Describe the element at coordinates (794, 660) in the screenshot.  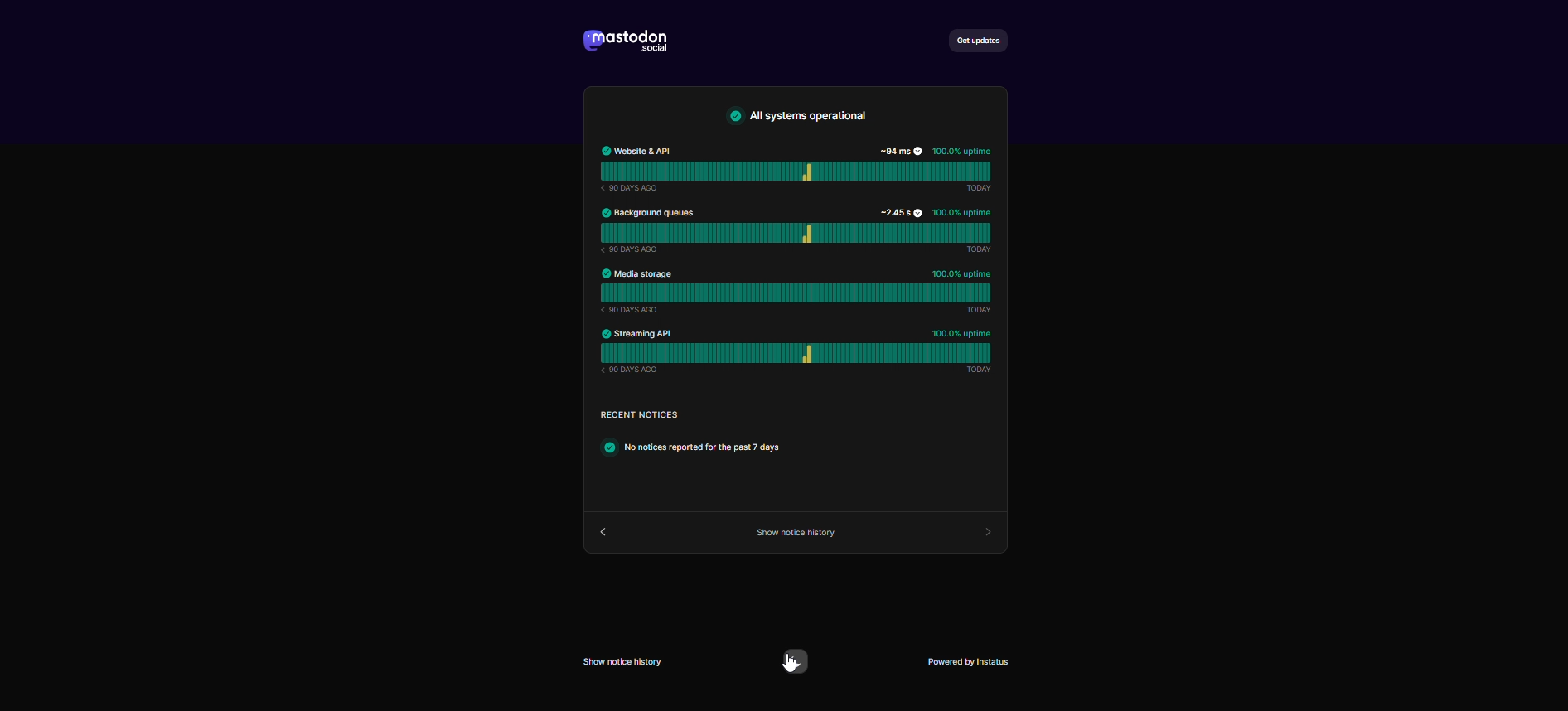
I see `switch to dark mode` at that location.